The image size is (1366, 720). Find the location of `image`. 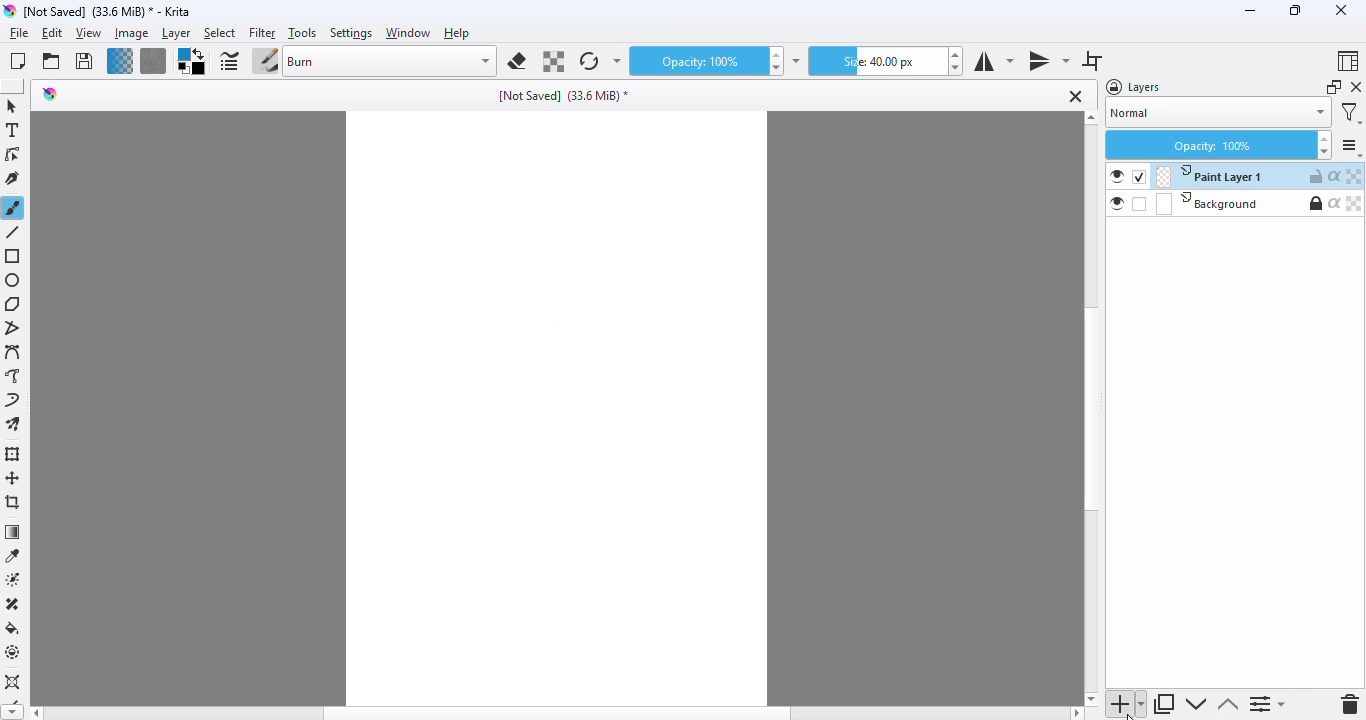

image is located at coordinates (131, 33).